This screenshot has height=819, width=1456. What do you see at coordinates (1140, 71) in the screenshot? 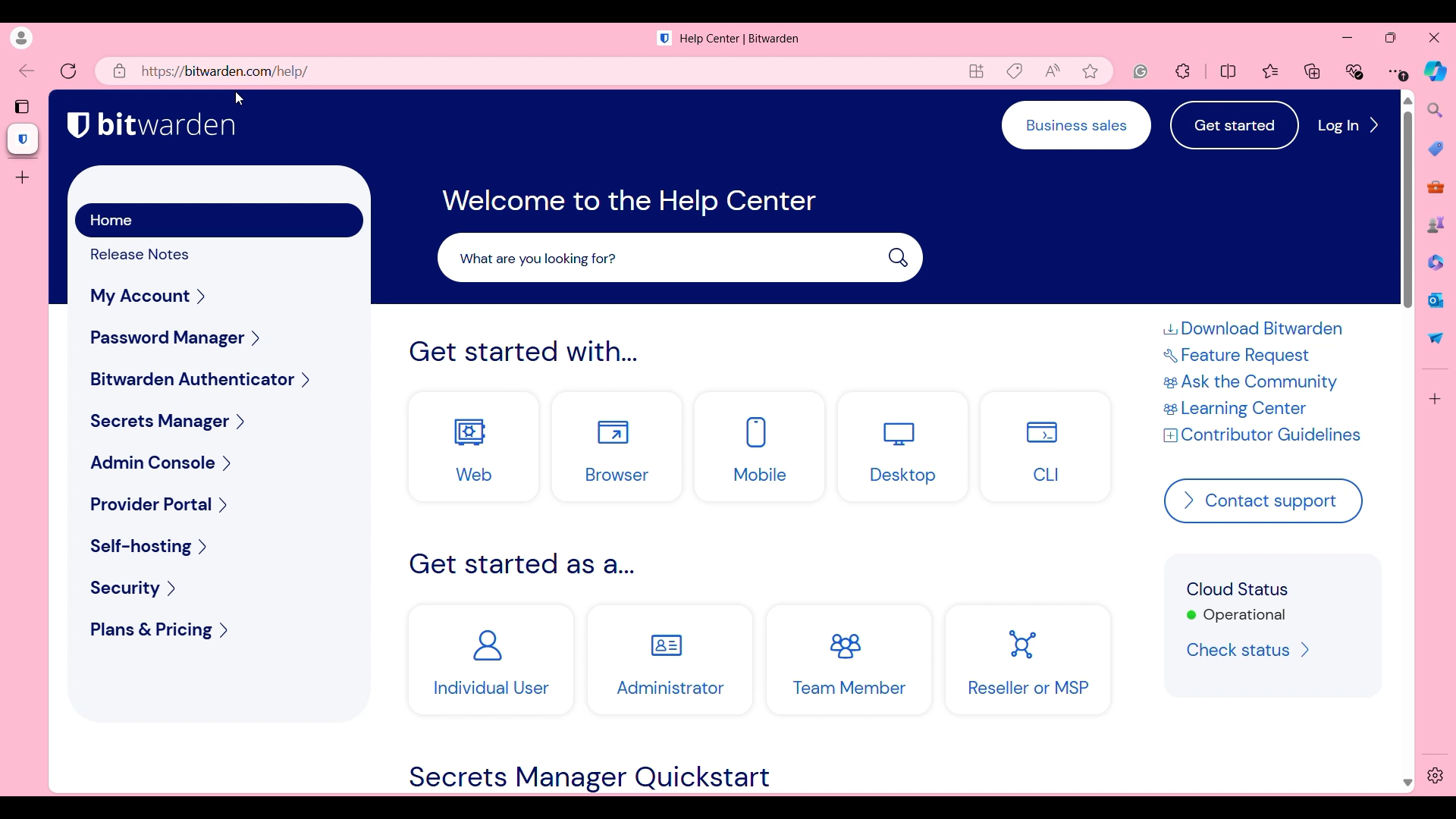
I see `Grammarly extension` at bounding box center [1140, 71].